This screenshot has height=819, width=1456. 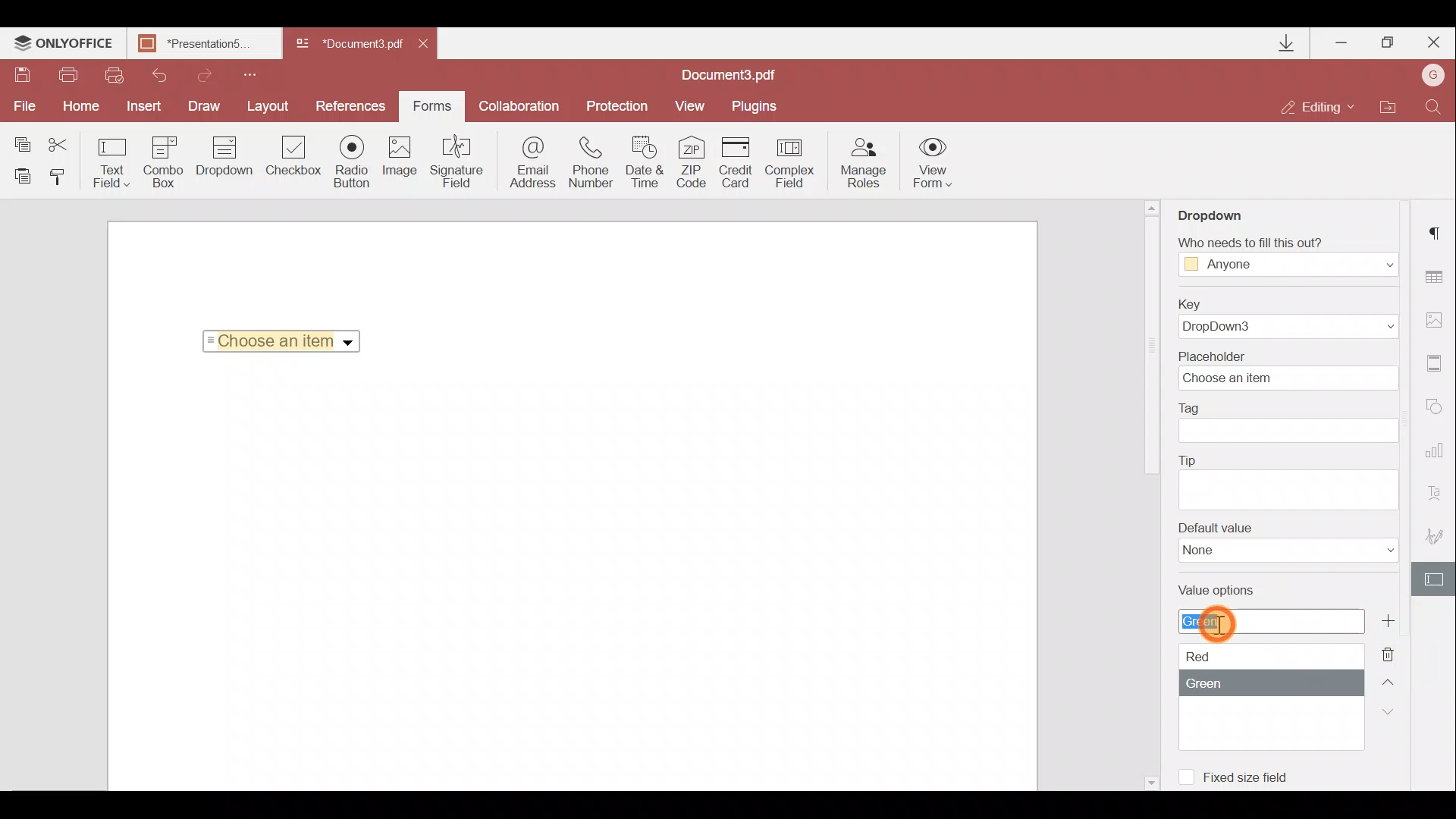 I want to click on Print file, so click(x=73, y=75).